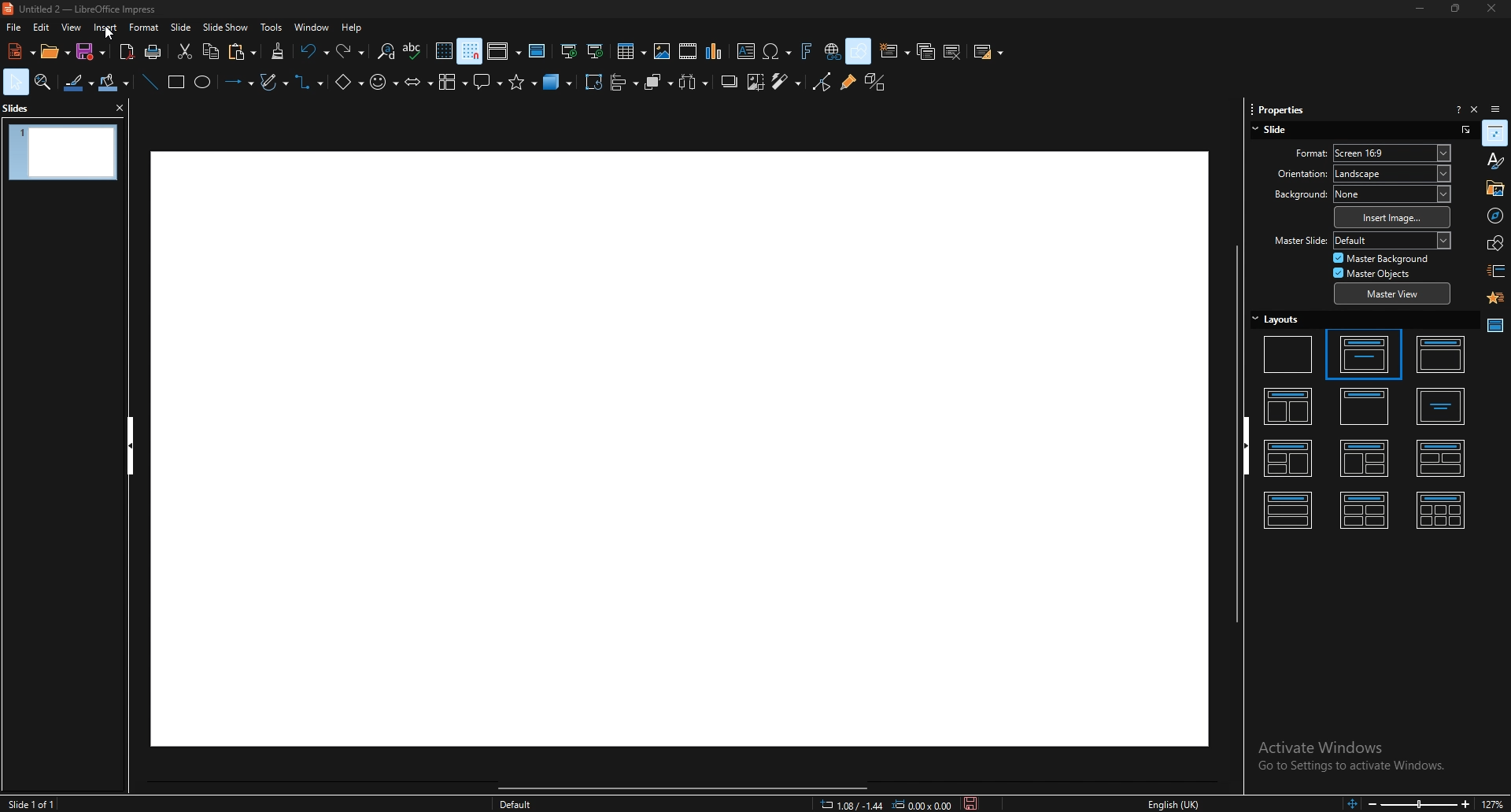  What do you see at coordinates (1349, 804) in the screenshot?
I see `fit slide to current window` at bounding box center [1349, 804].